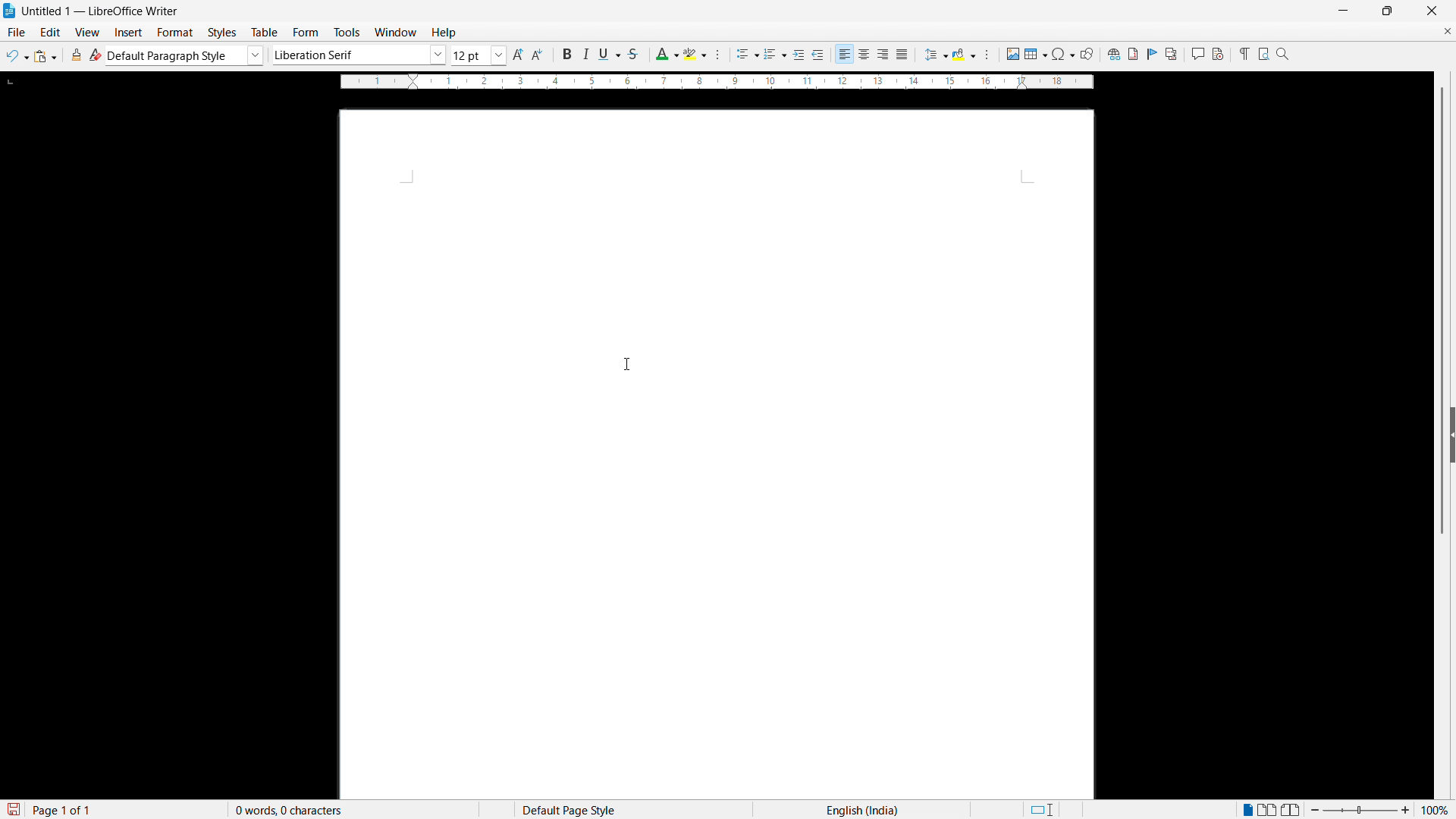 The height and width of the screenshot is (819, 1456). What do you see at coordinates (1269, 809) in the screenshot?
I see `Multiple page view ` at bounding box center [1269, 809].